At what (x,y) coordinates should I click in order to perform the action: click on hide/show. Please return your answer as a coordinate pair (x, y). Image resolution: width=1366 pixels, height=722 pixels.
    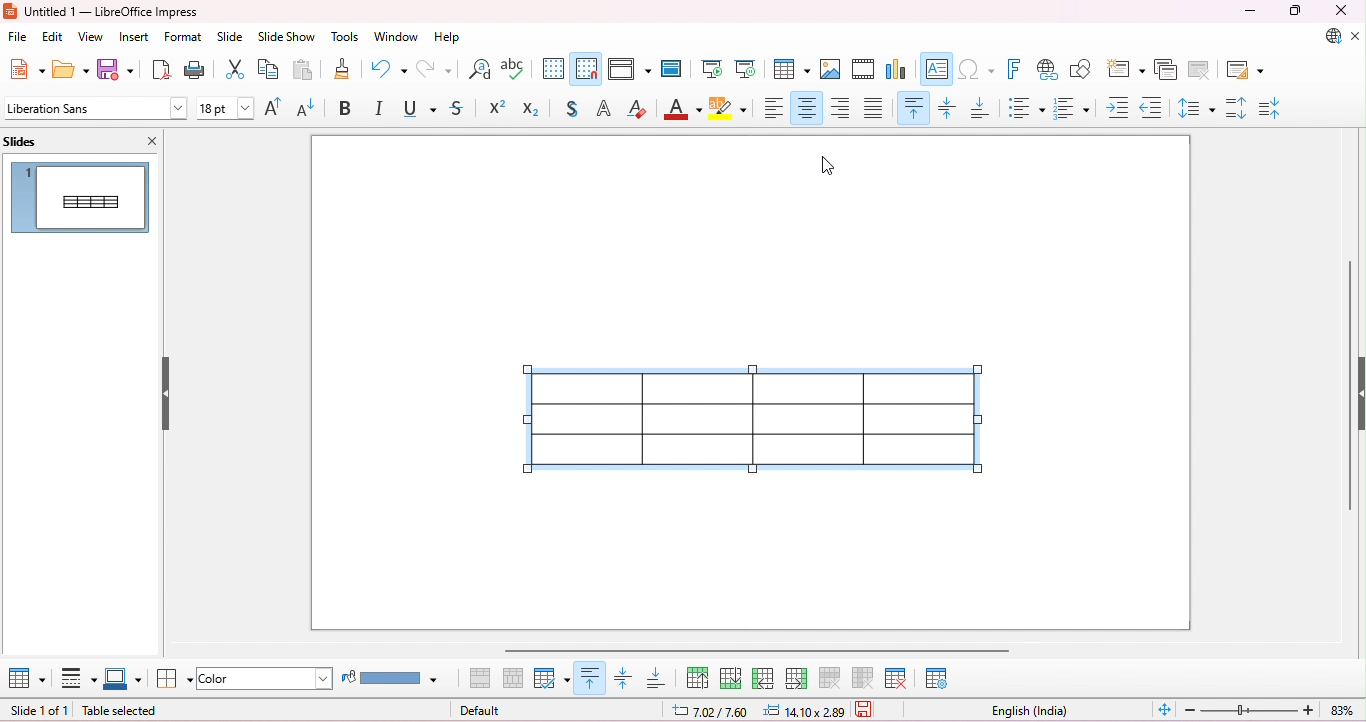
    Looking at the image, I should click on (1357, 390).